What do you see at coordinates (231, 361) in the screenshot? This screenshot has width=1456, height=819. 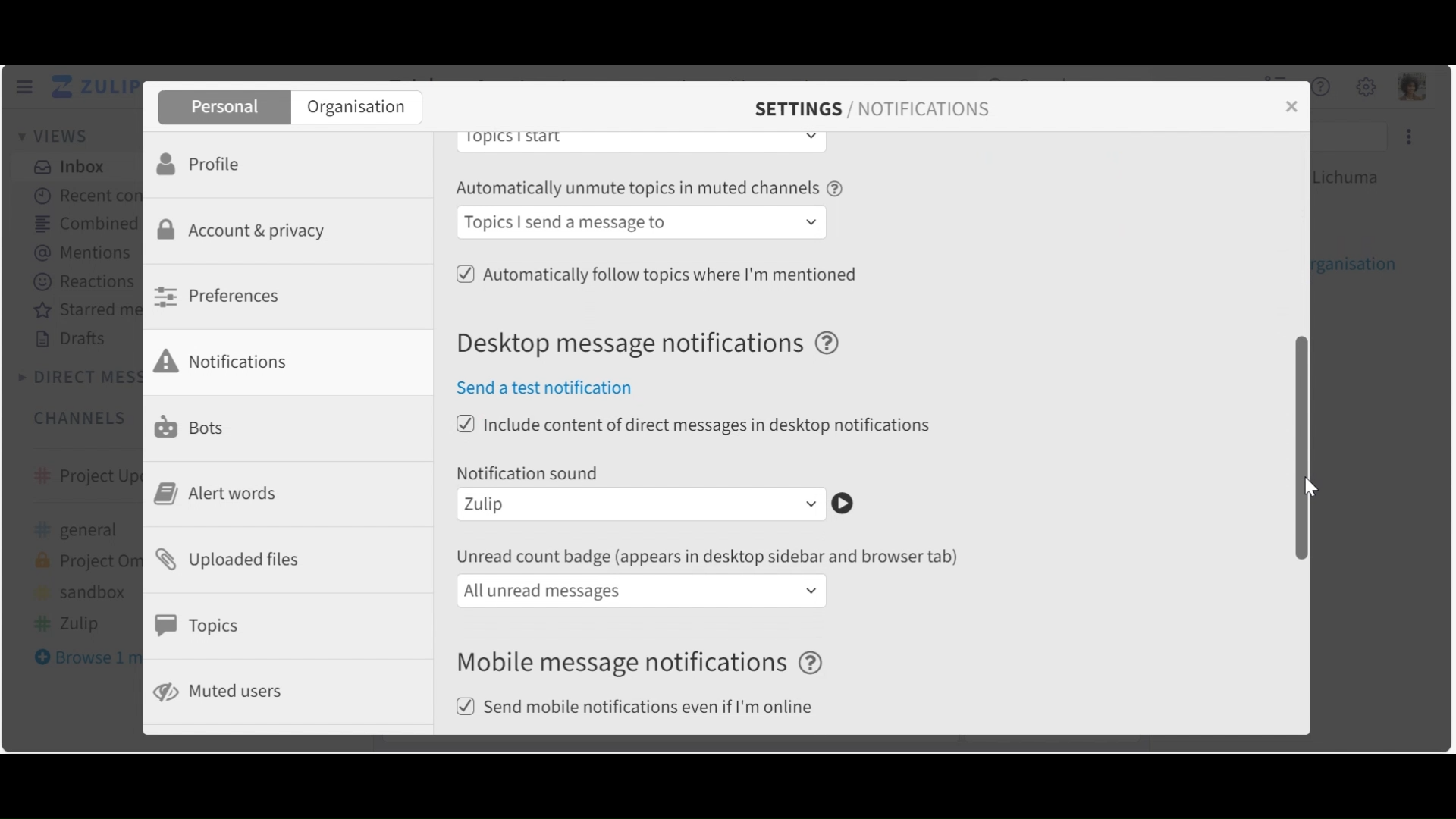 I see `Notifications` at bounding box center [231, 361].